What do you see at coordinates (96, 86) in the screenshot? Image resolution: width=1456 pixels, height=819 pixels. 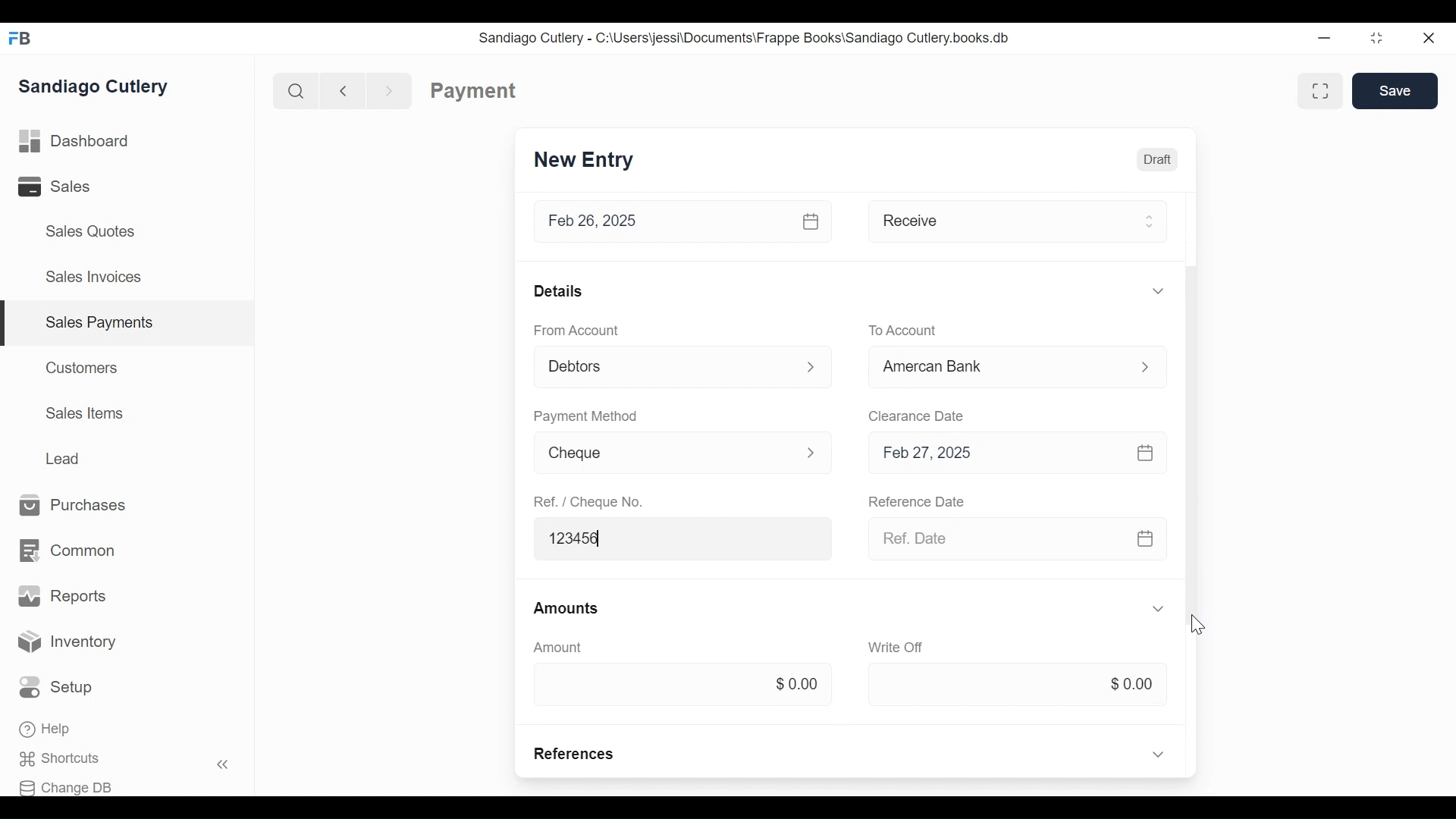 I see `Sandiago Cutlery` at bounding box center [96, 86].